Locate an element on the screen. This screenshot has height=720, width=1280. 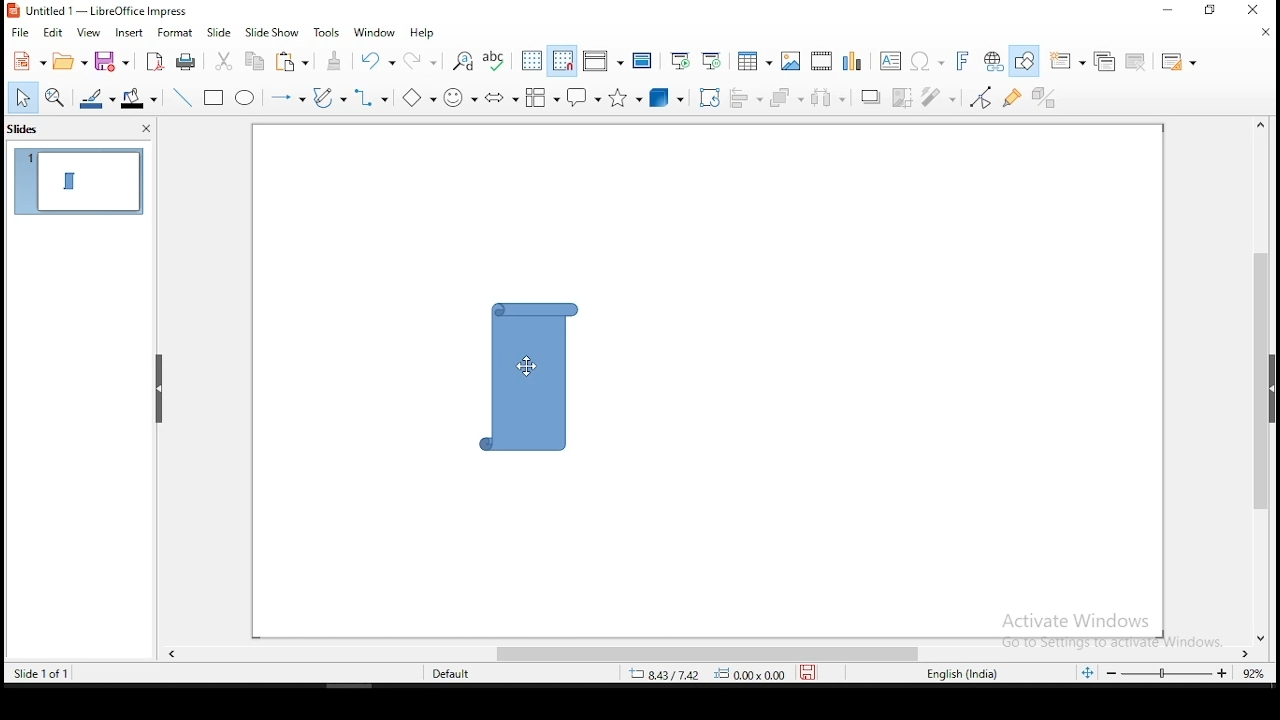
start from current slide is located at coordinates (714, 59).